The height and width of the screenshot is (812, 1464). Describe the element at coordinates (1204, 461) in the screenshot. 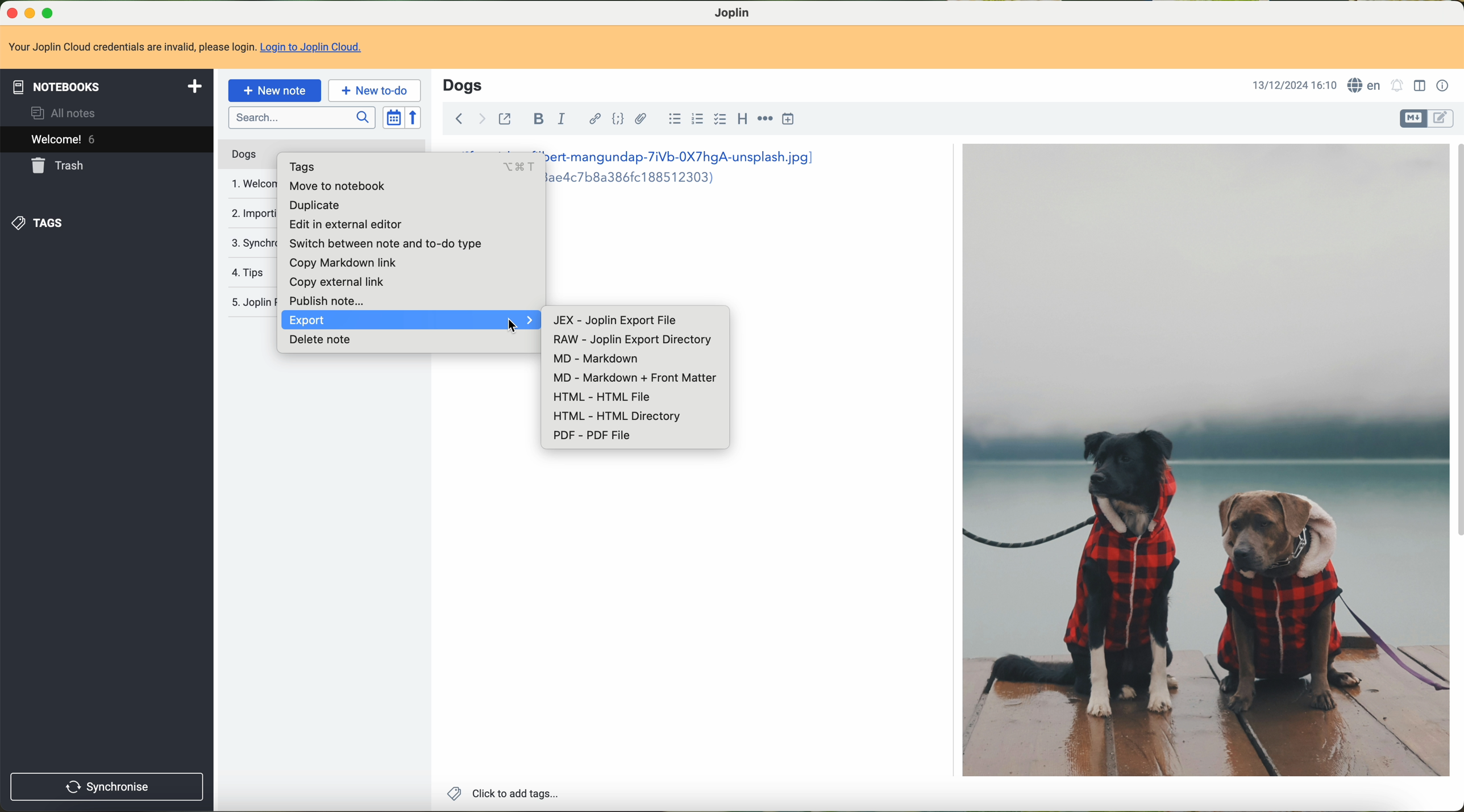

I see `dogs image` at that location.